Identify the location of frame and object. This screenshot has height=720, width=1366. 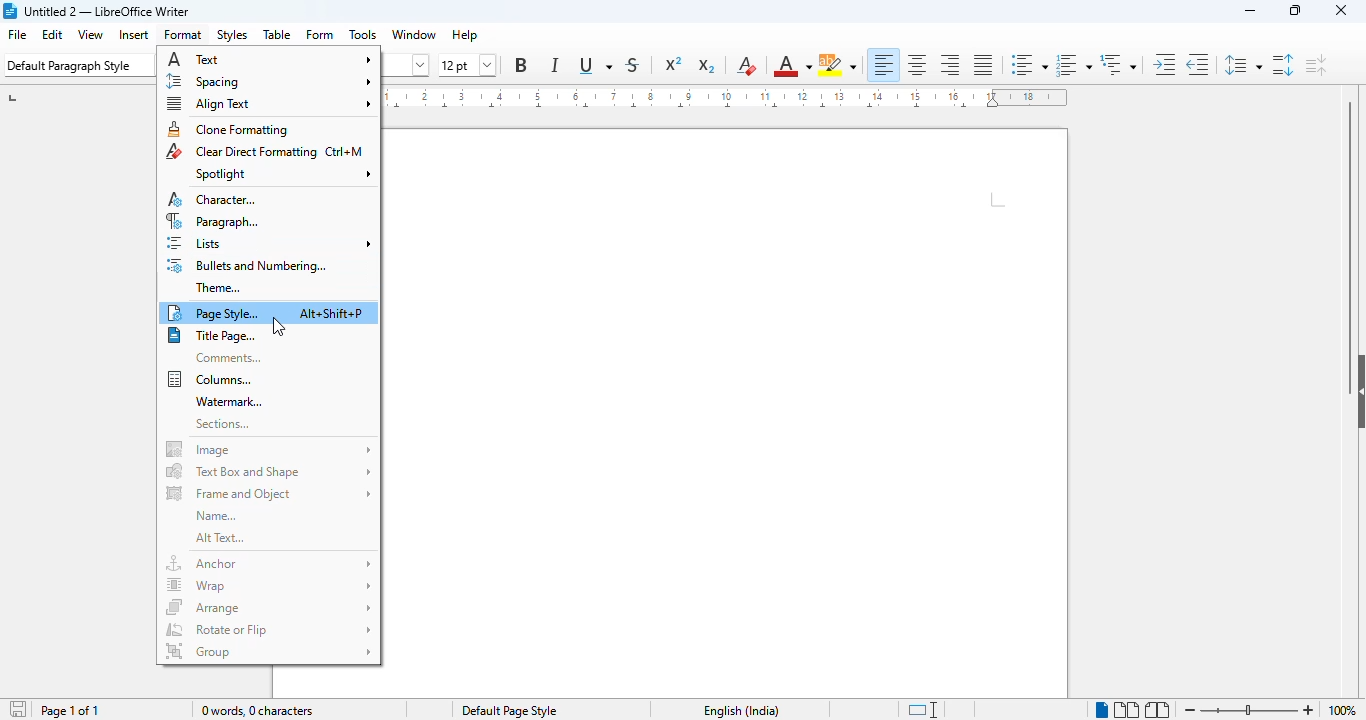
(269, 492).